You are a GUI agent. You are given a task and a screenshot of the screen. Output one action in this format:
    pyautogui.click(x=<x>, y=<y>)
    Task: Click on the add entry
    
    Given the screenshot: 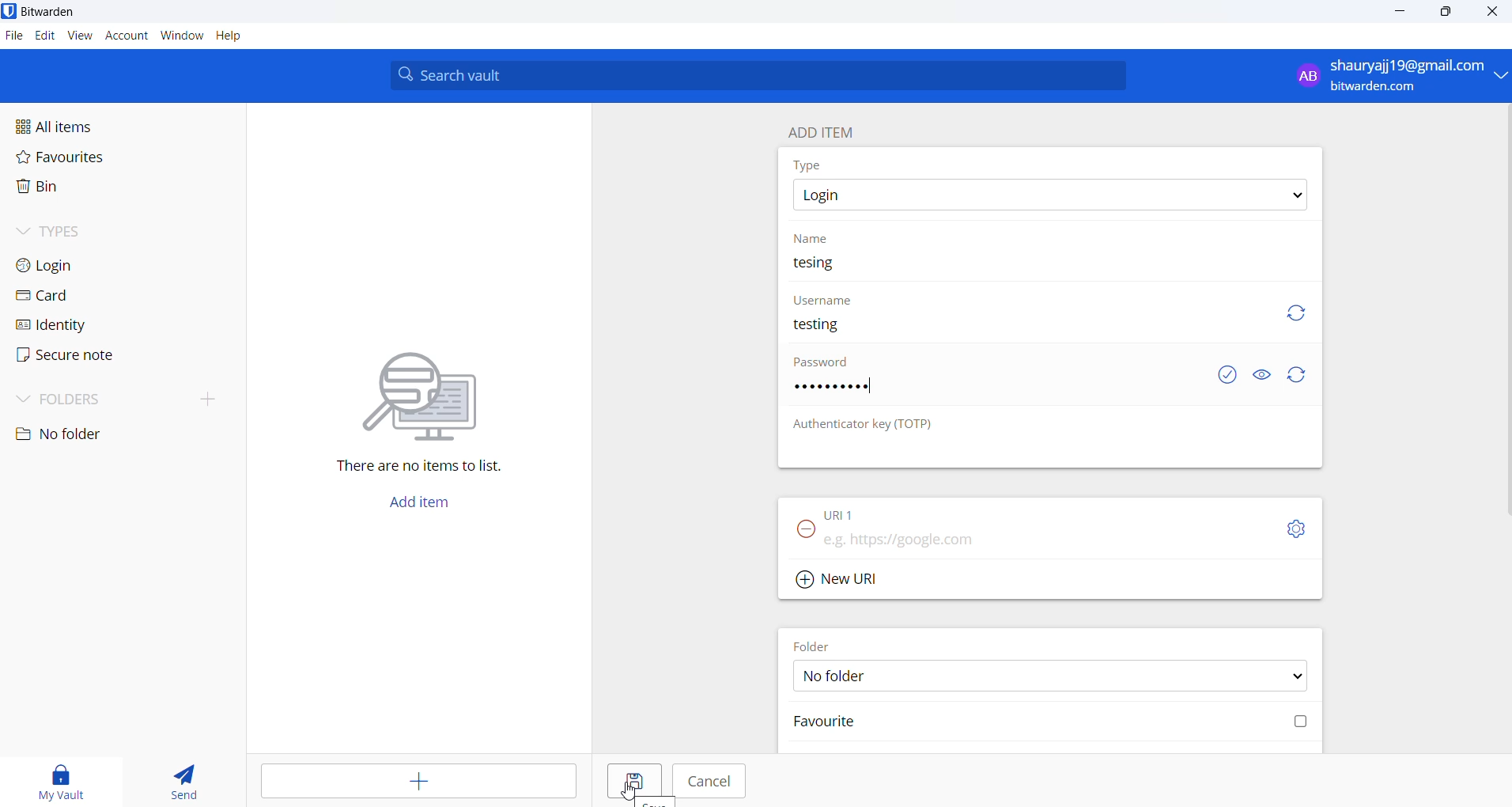 What is the action you would take?
    pyautogui.click(x=421, y=782)
    